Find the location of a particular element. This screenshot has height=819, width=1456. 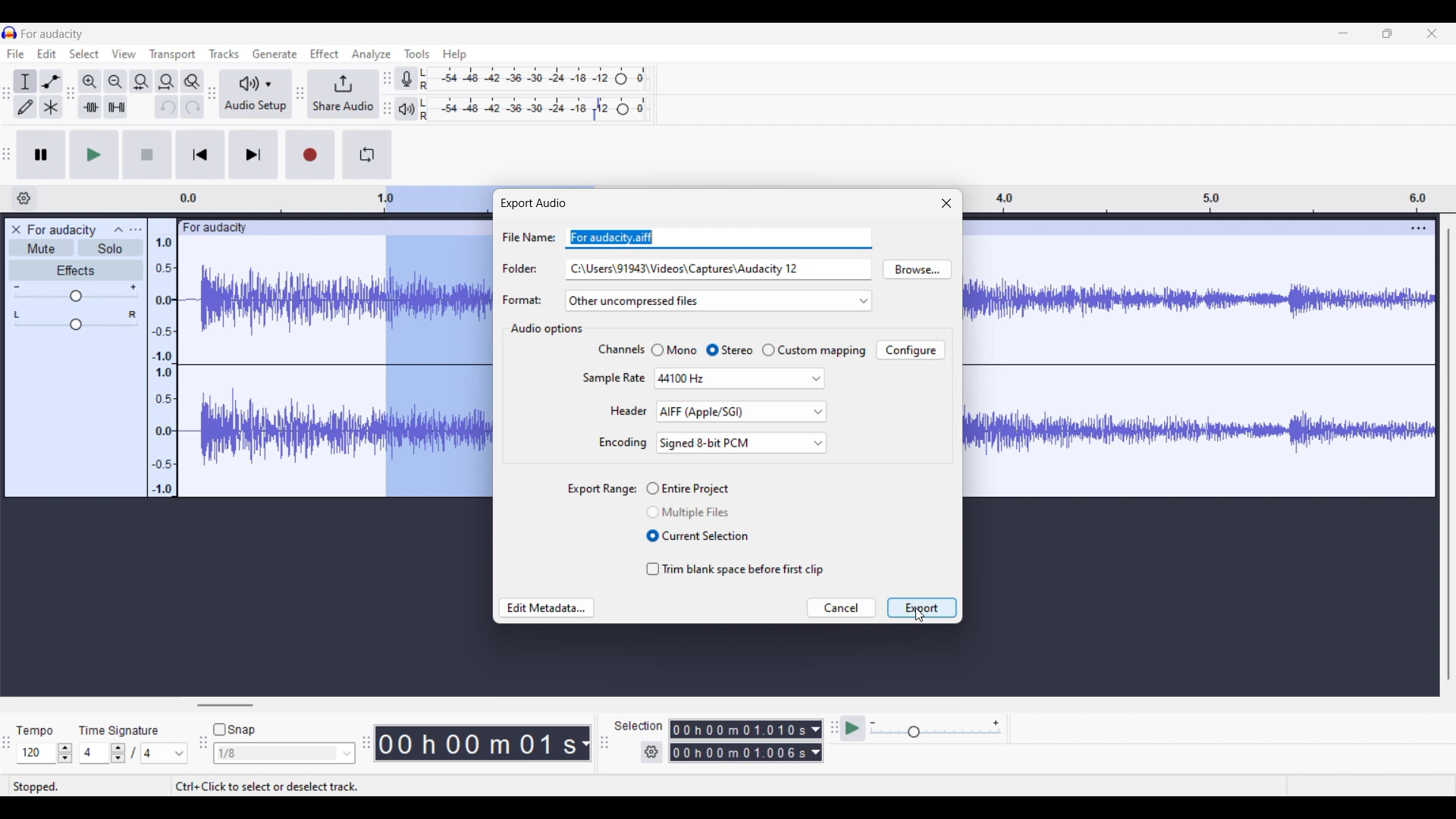

Scale to measure length of track is located at coordinates (1210, 199).